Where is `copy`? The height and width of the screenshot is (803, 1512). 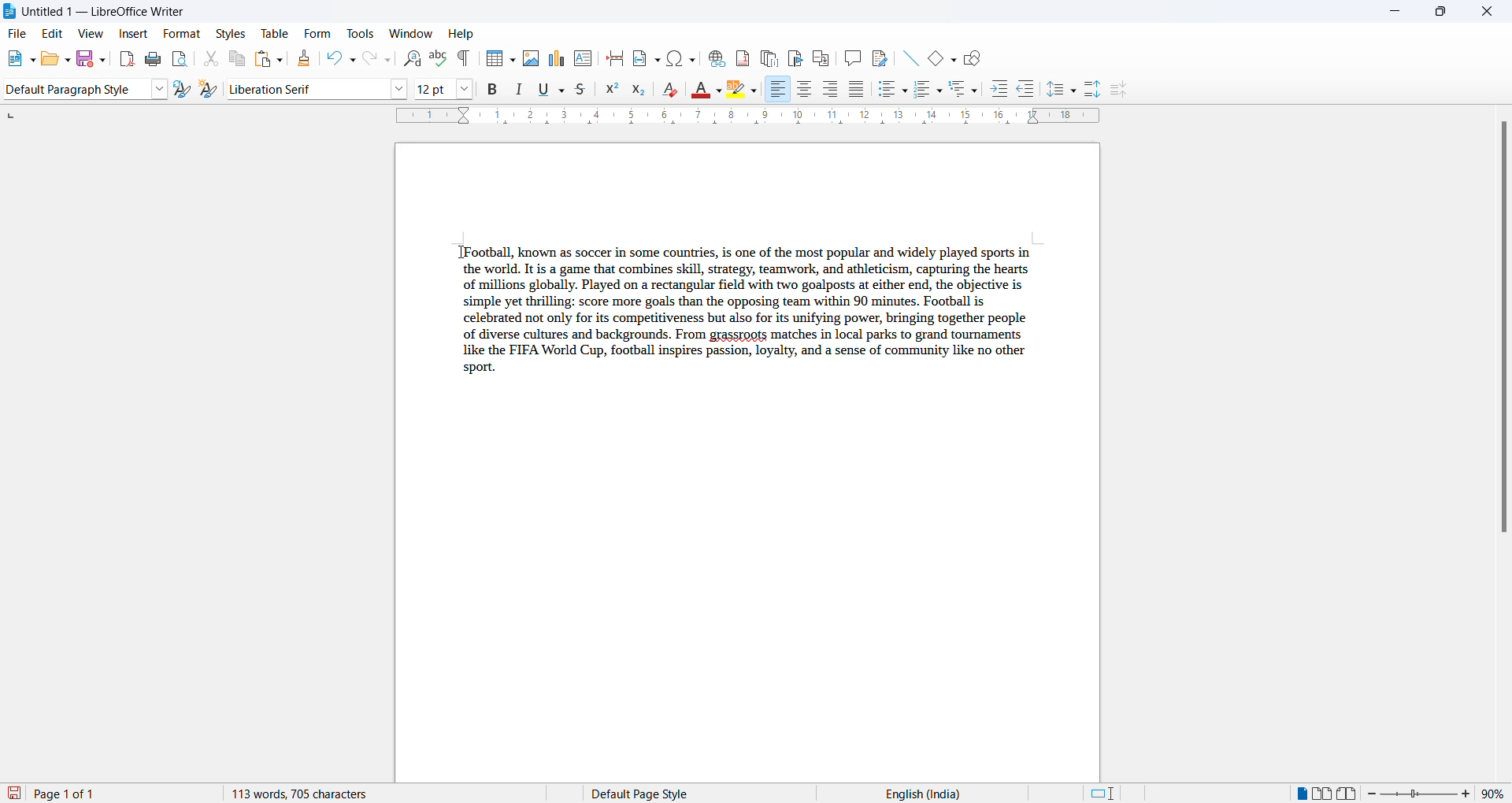 copy is located at coordinates (237, 59).